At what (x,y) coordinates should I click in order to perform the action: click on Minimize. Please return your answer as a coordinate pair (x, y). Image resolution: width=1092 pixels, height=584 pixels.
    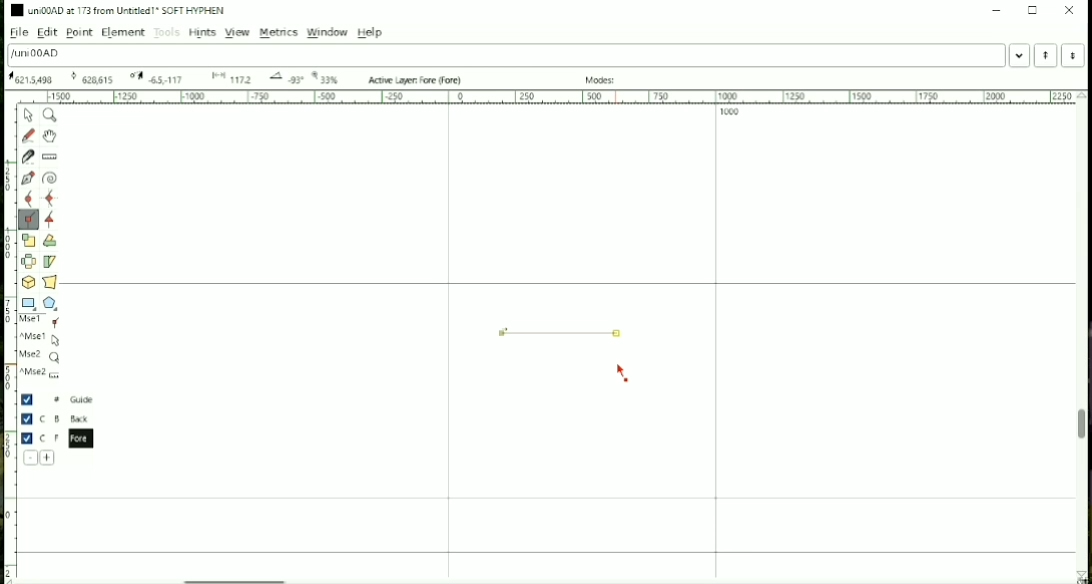
    Looking at the image, I should click on (995, 10).